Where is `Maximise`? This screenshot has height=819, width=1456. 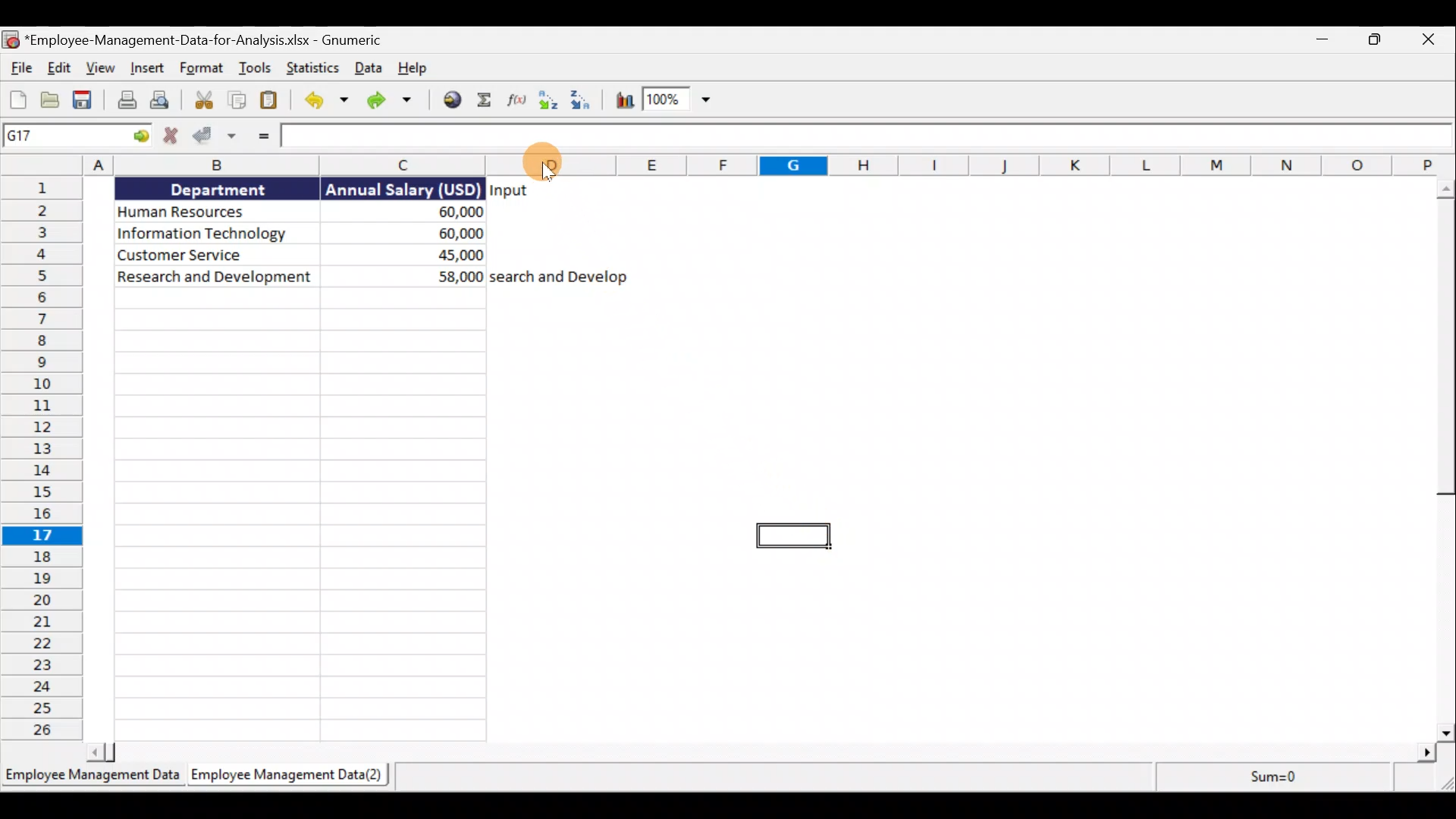
Maximise is located at coordinates (1373, 38).